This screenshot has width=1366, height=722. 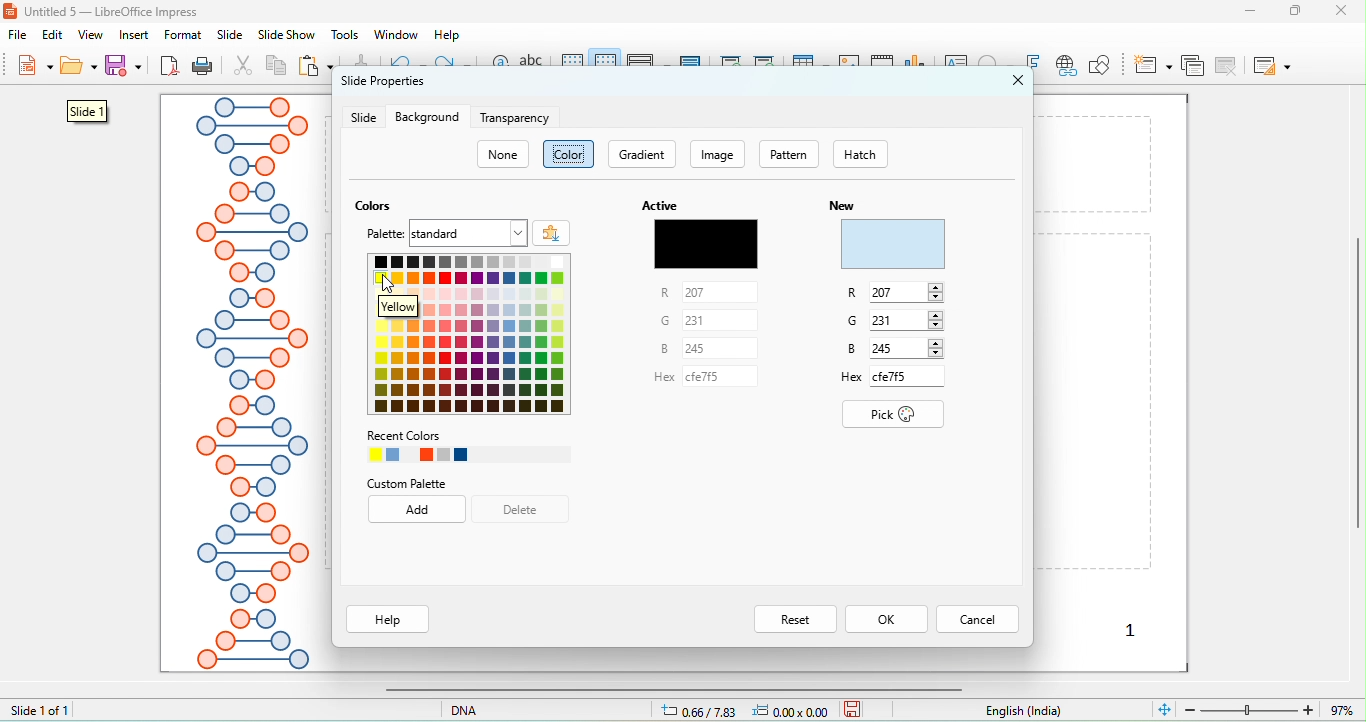 I want to click on save, so click(x=126, y=65).